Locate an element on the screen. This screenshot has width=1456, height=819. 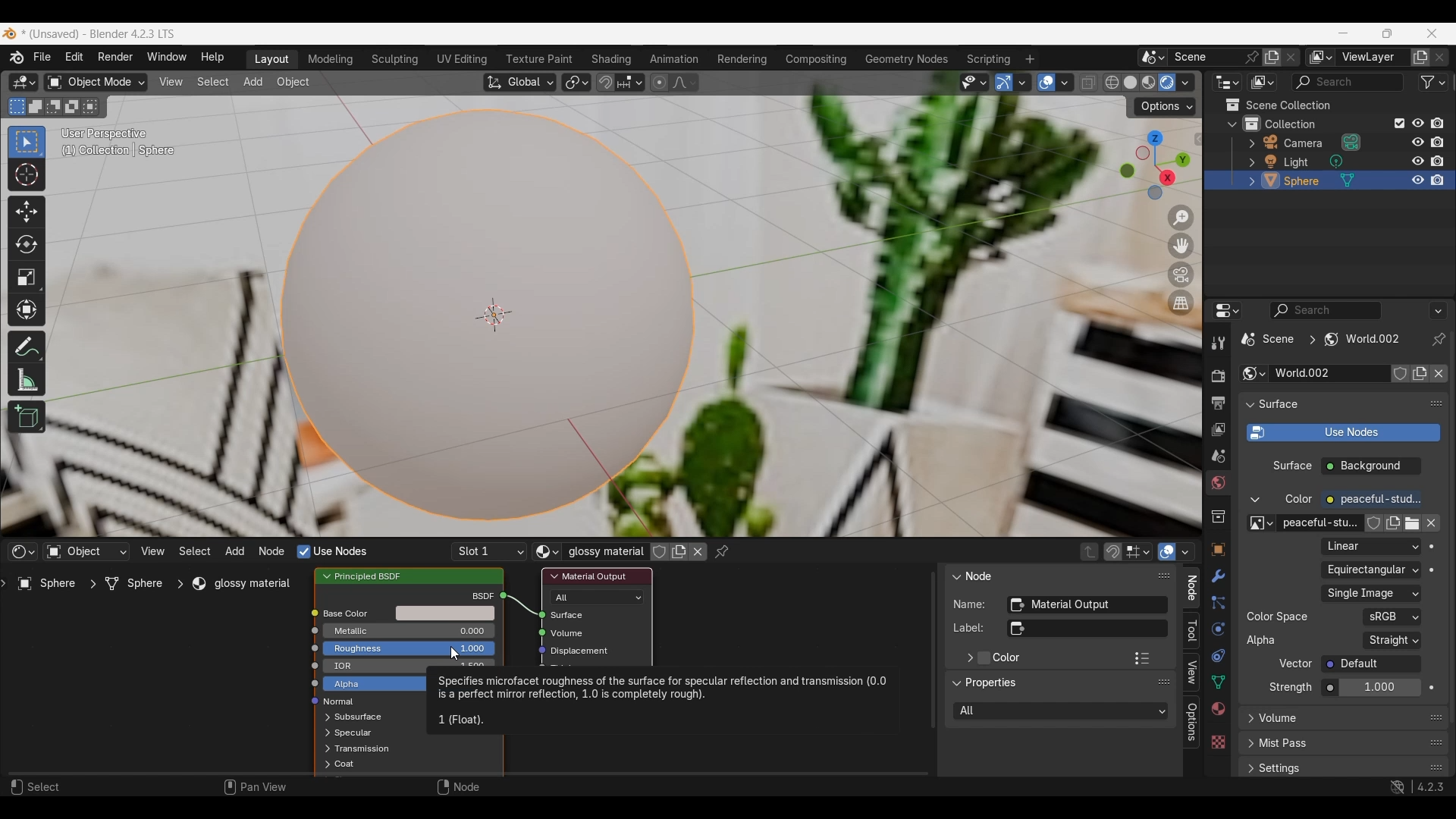
Filter is located at coordinates (1432, 83).